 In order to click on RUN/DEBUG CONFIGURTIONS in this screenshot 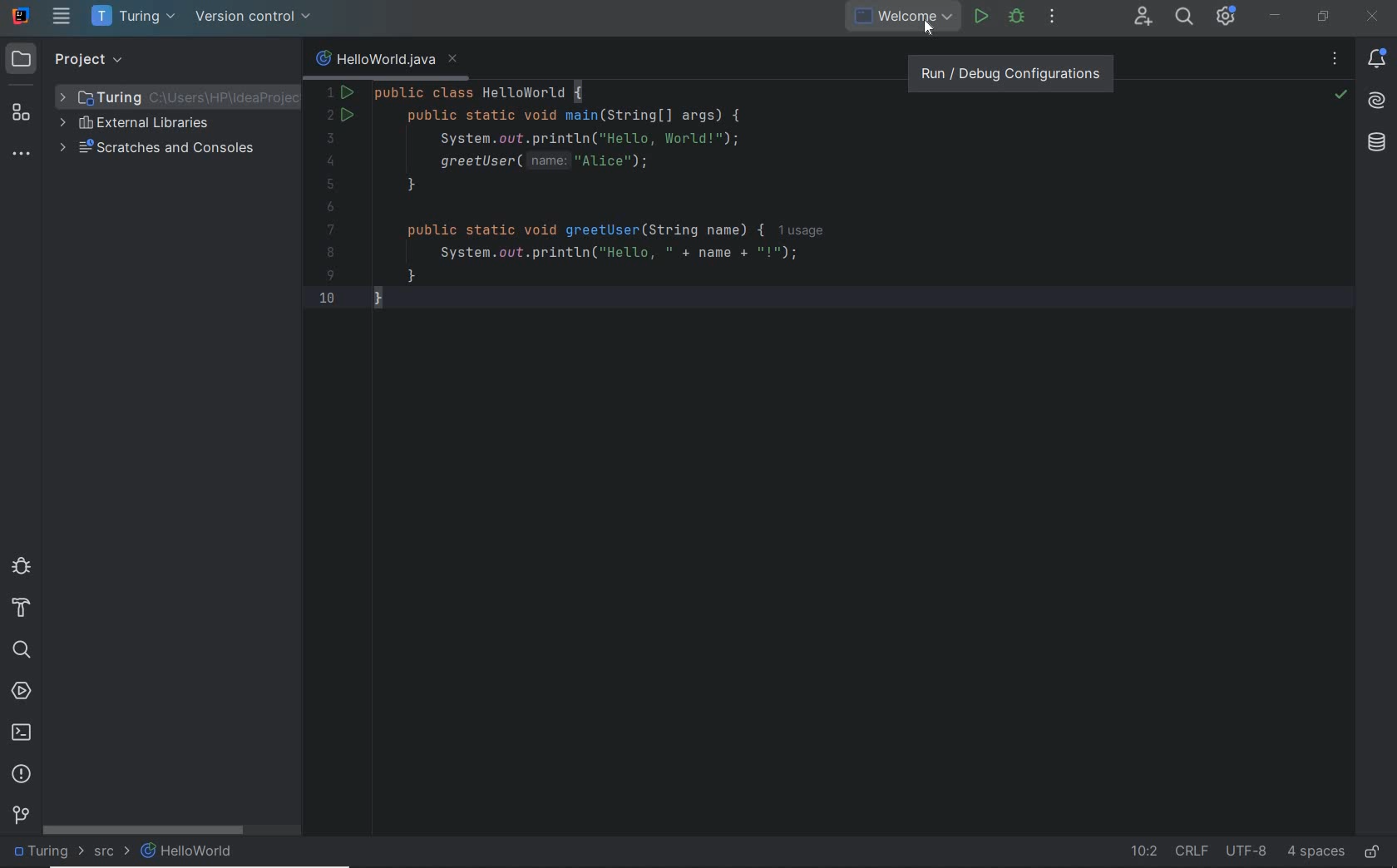, I will do `click(1008, 70)`.